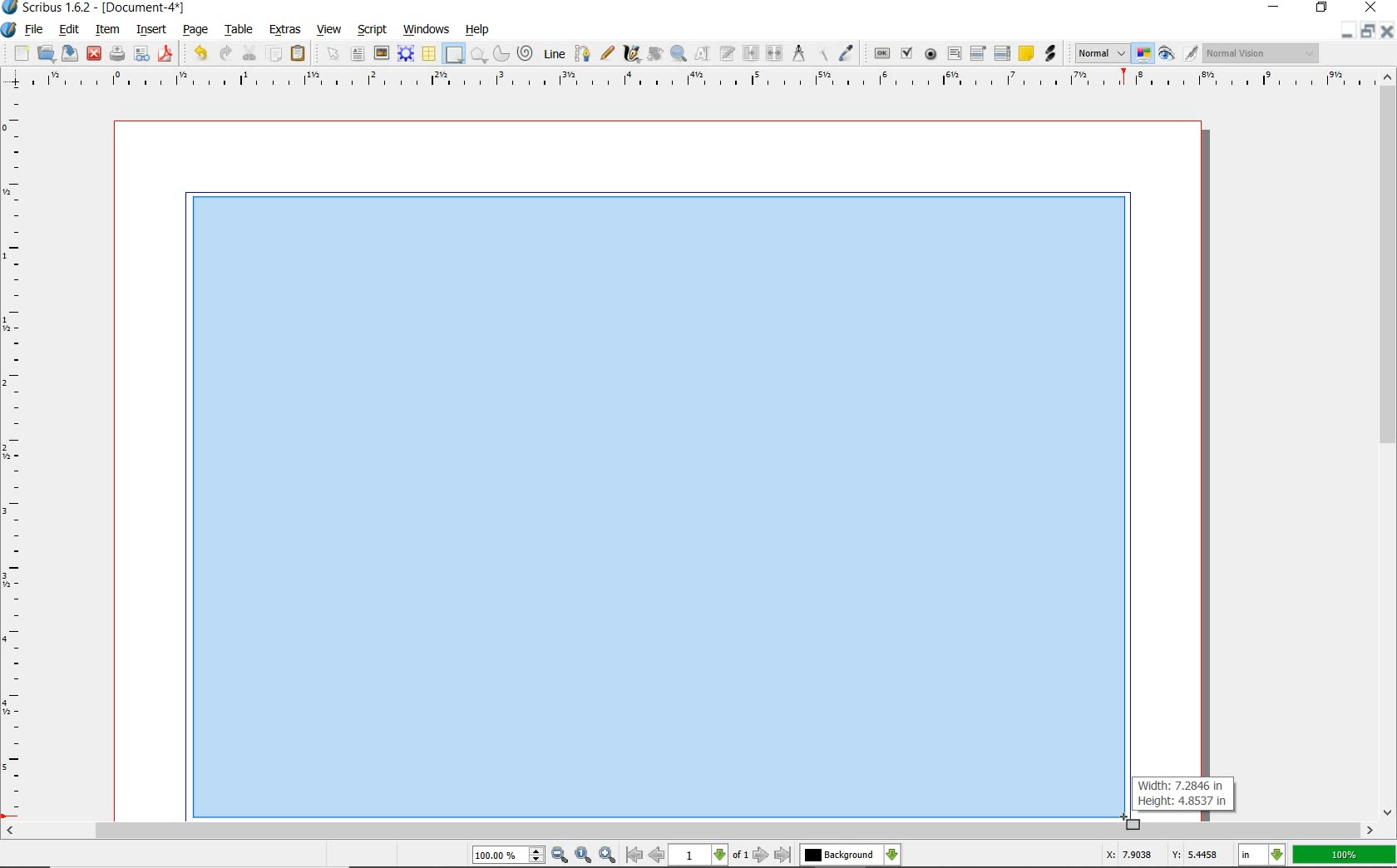 This screenshot has height=868, width=1397. What do you see at coordinates (94, 54) in the screenshot?
I see `close` at bounding box center [94, 54].